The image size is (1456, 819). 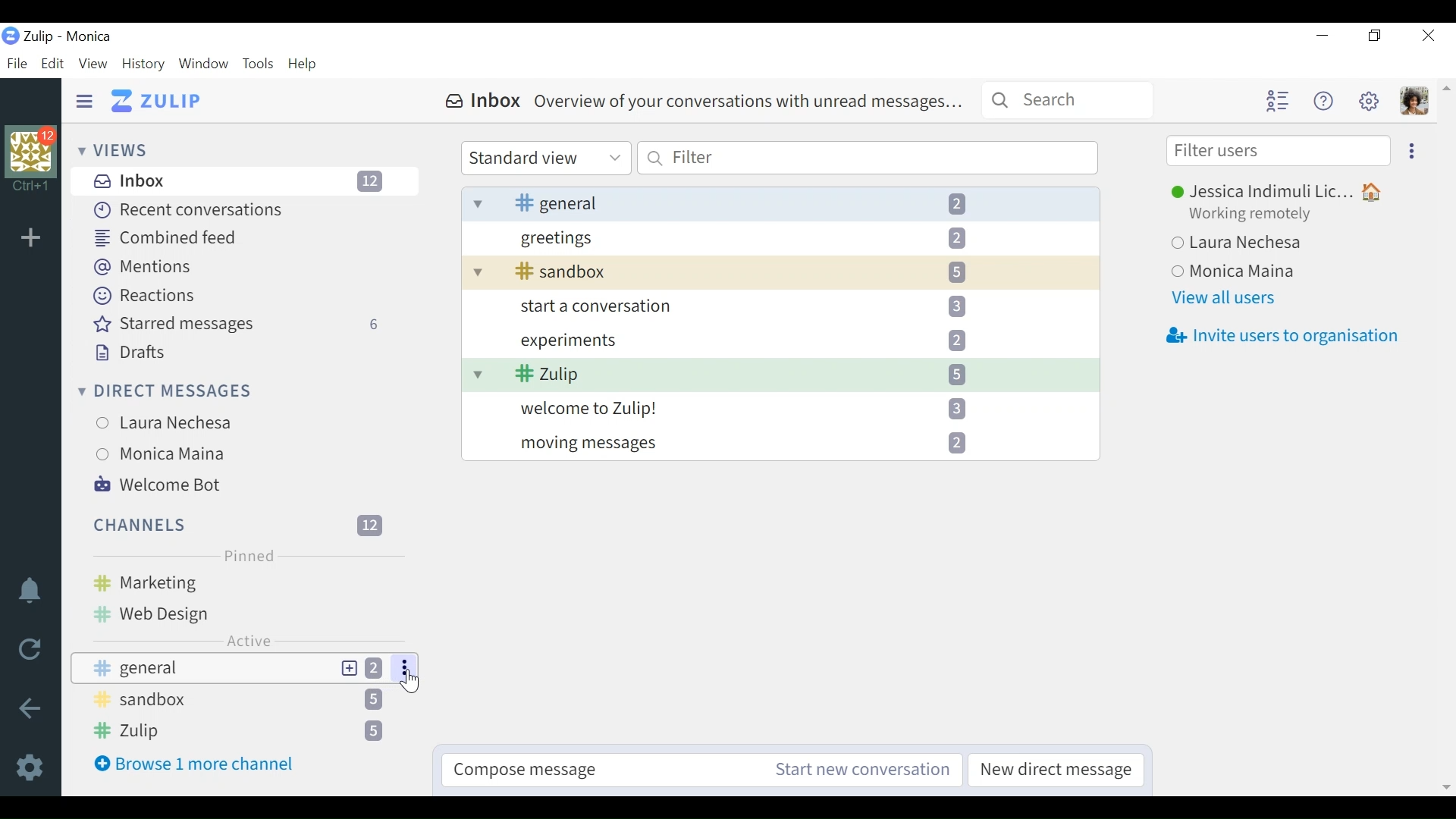 I want to click on 2, so click(x=378, y=668).